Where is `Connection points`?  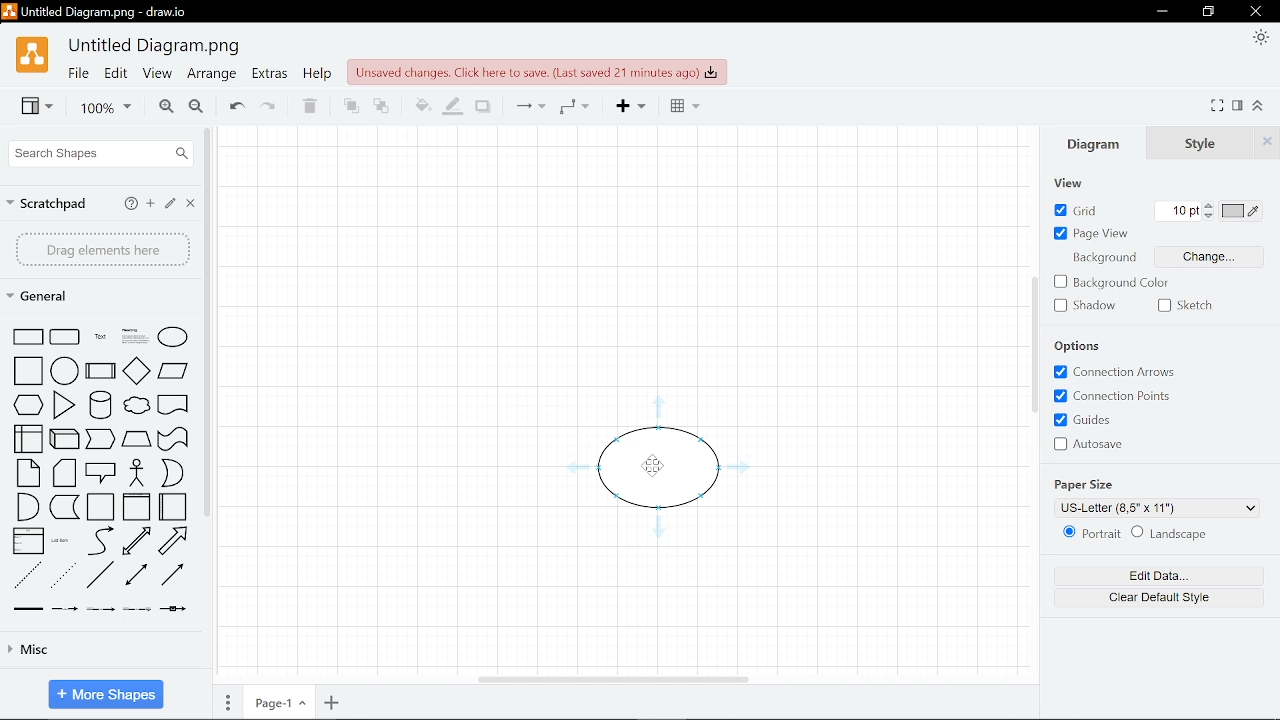
Connection points is located at coordinates (1119, 396).